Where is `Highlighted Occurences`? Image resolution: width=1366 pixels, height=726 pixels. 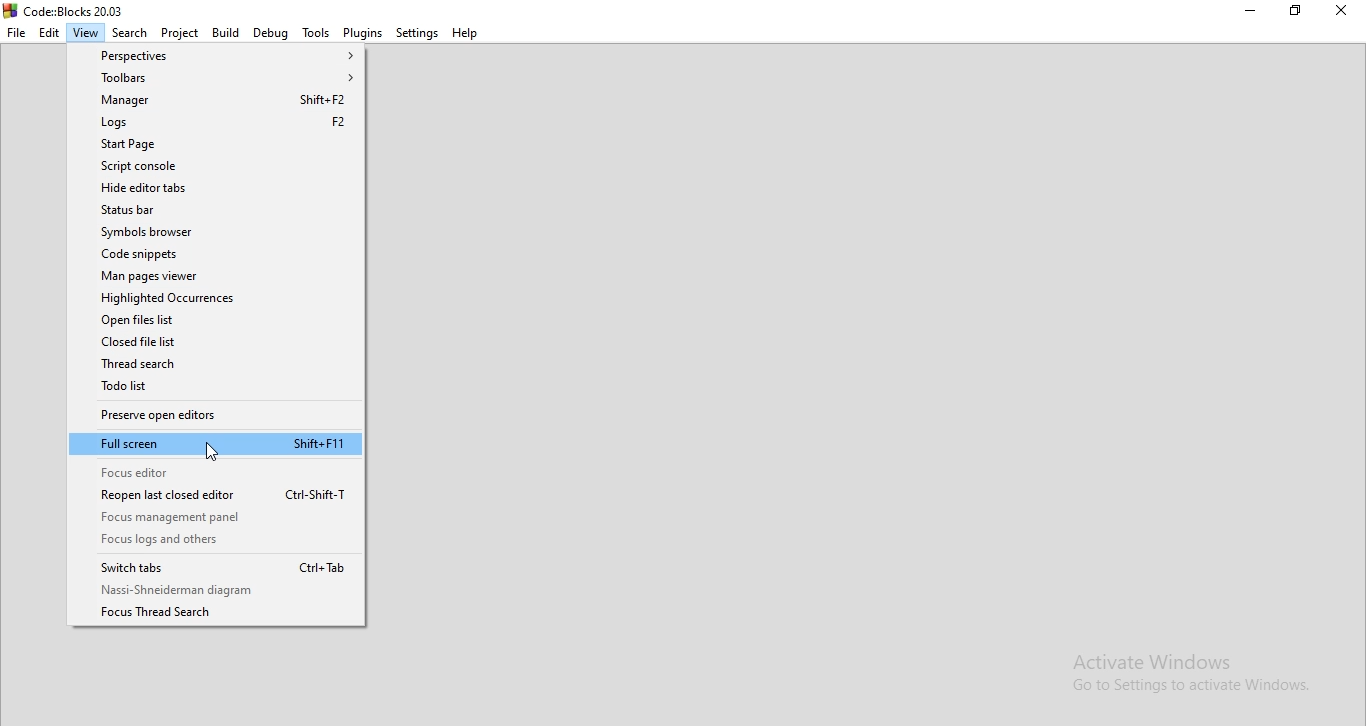
Highlighted Occurences is located at coordinates (215, 298).